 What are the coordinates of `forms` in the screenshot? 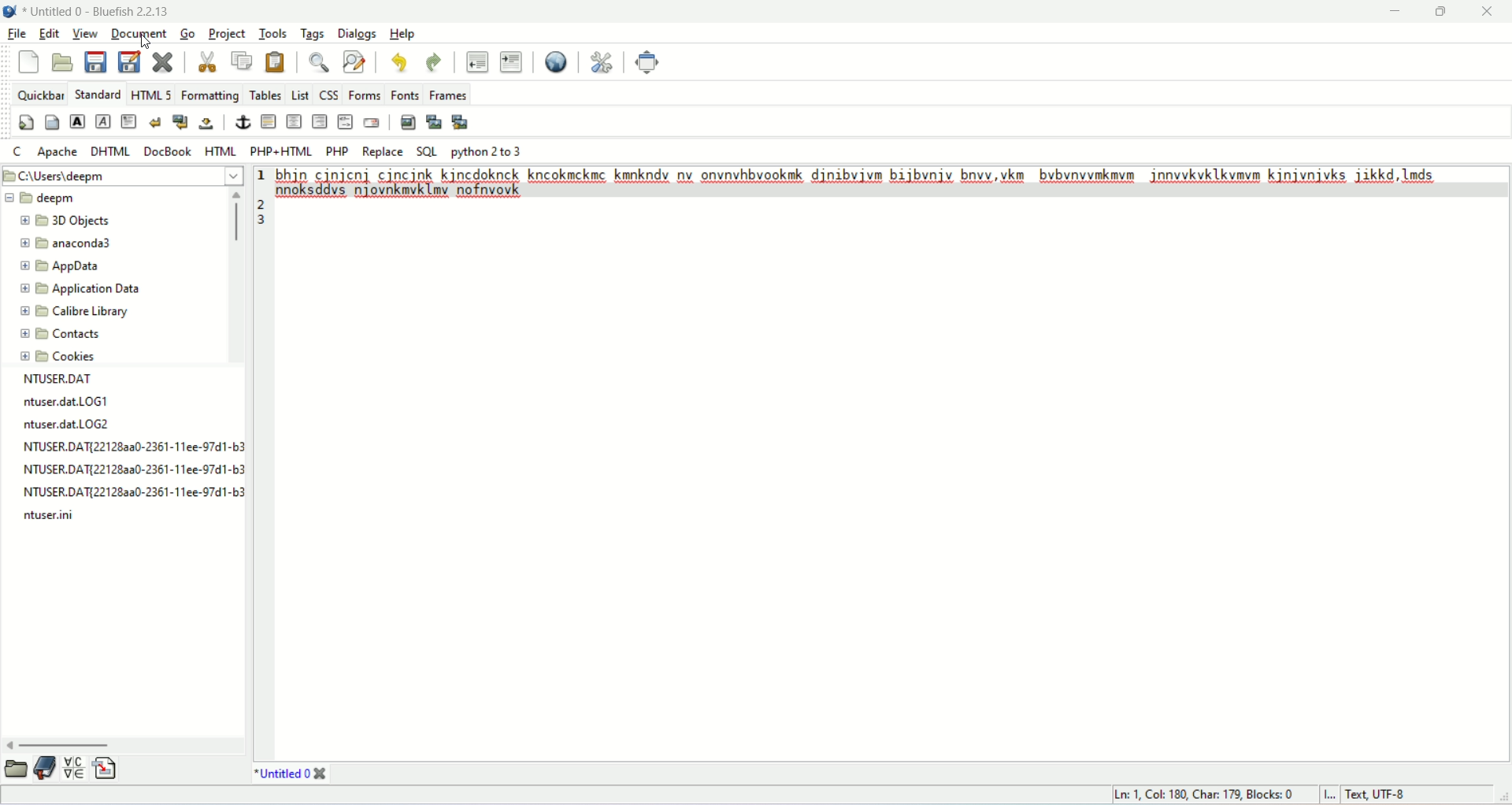 It's located at (366, 95).